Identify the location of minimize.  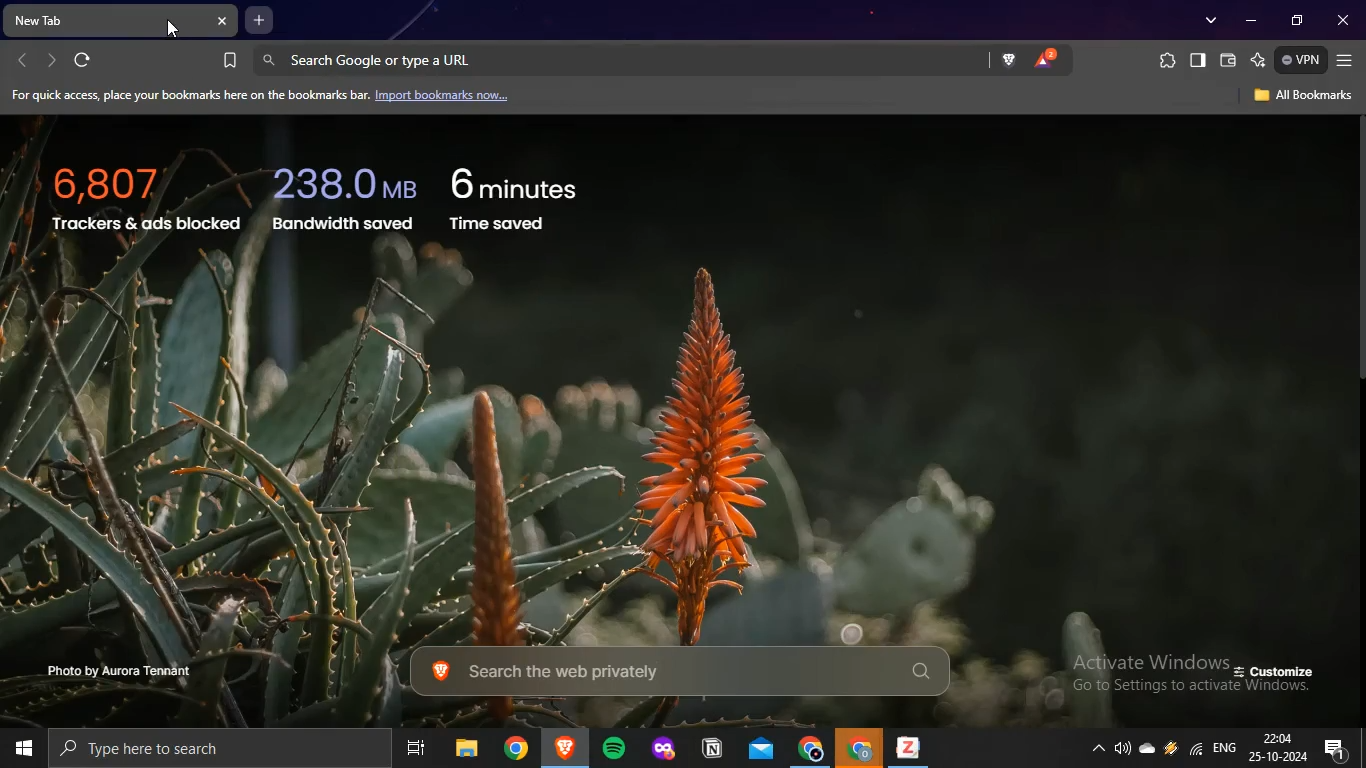
(1254, 19).